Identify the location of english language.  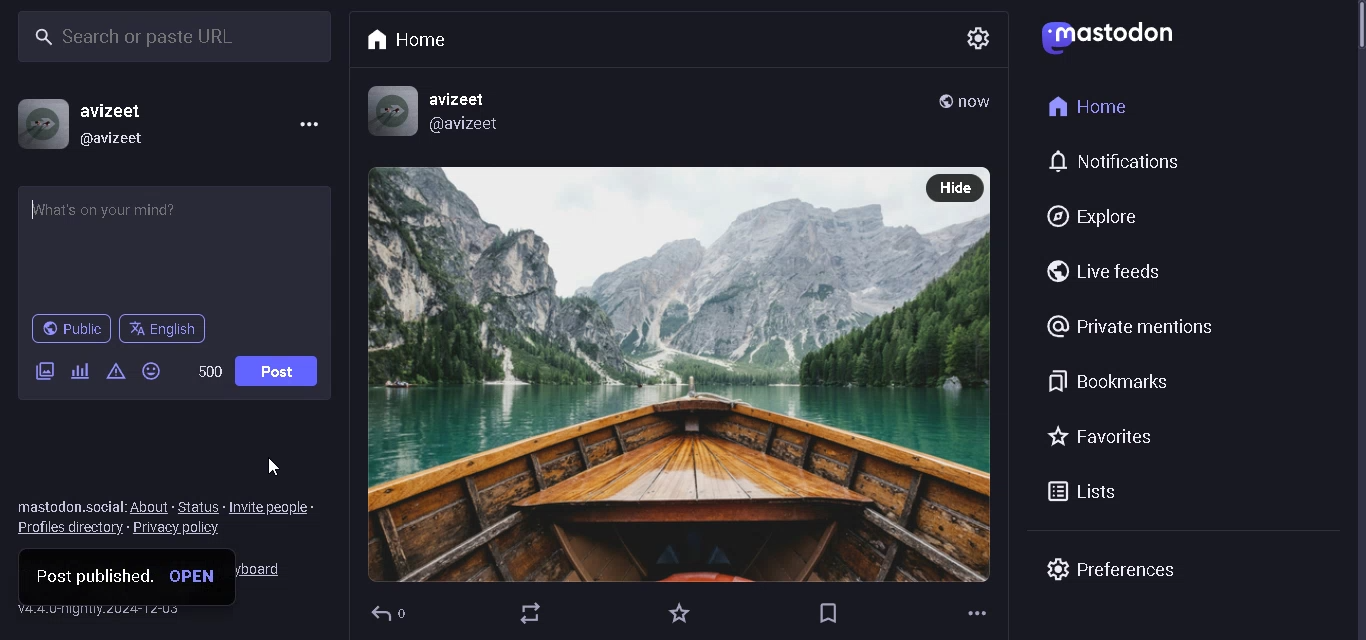
(168, 331).